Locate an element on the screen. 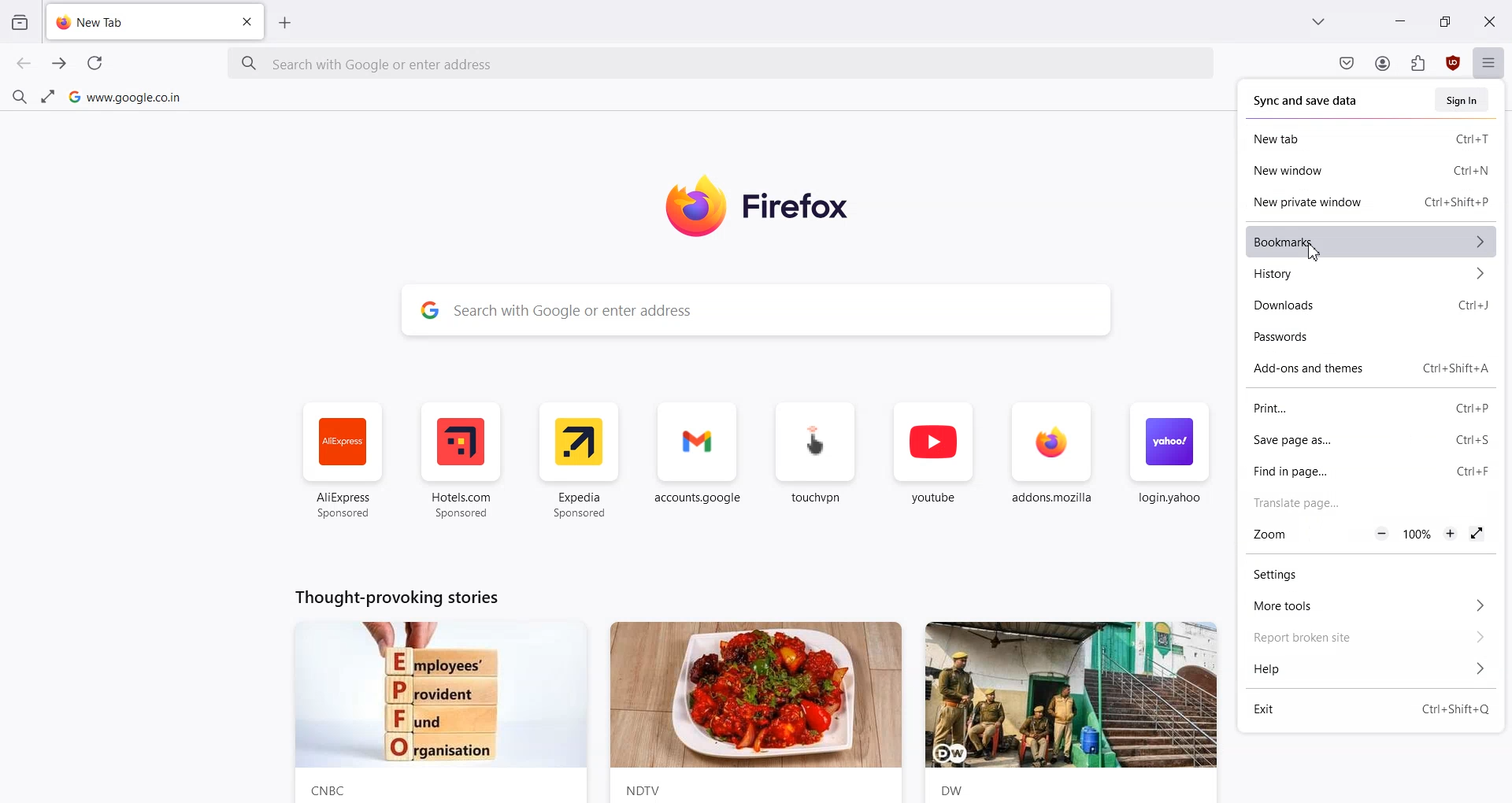  Zoom In is located at coordinates (1450, 533).